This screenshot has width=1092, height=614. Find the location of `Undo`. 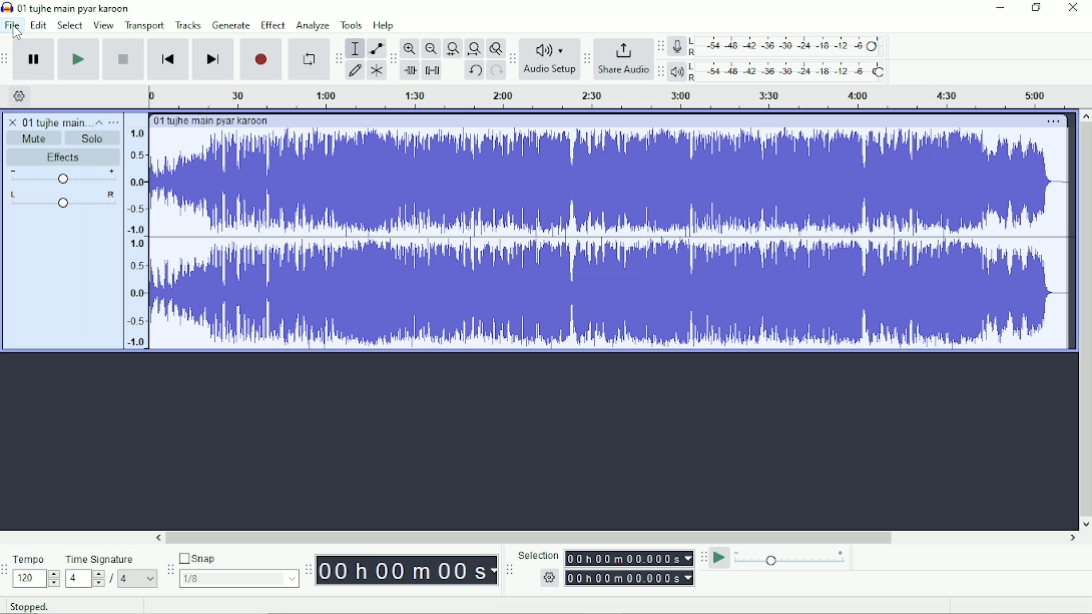

Undo is located at coordinates (475, 71).